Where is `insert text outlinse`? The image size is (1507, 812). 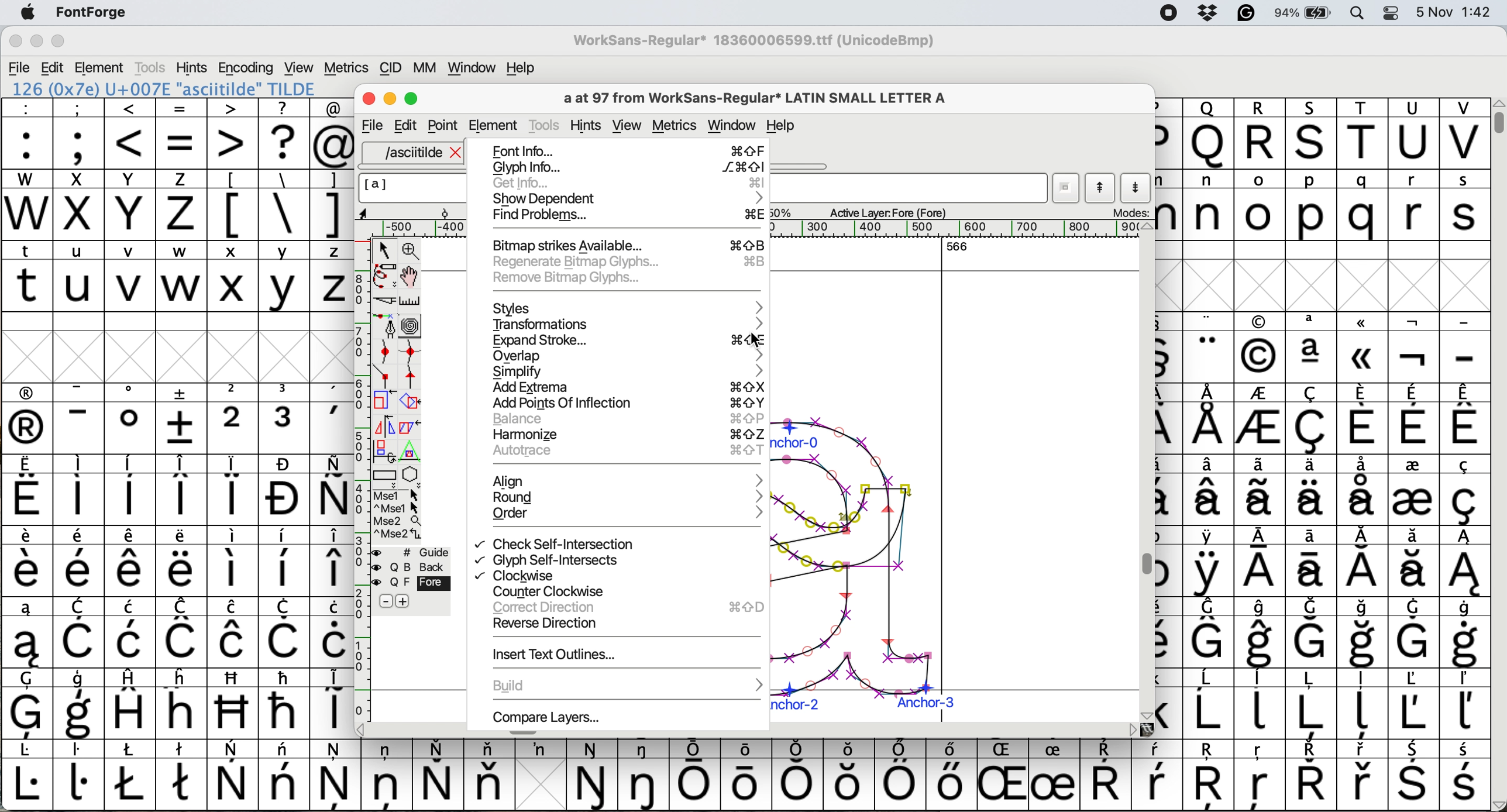 insert text outlinse is located at coordinates (563, 655).